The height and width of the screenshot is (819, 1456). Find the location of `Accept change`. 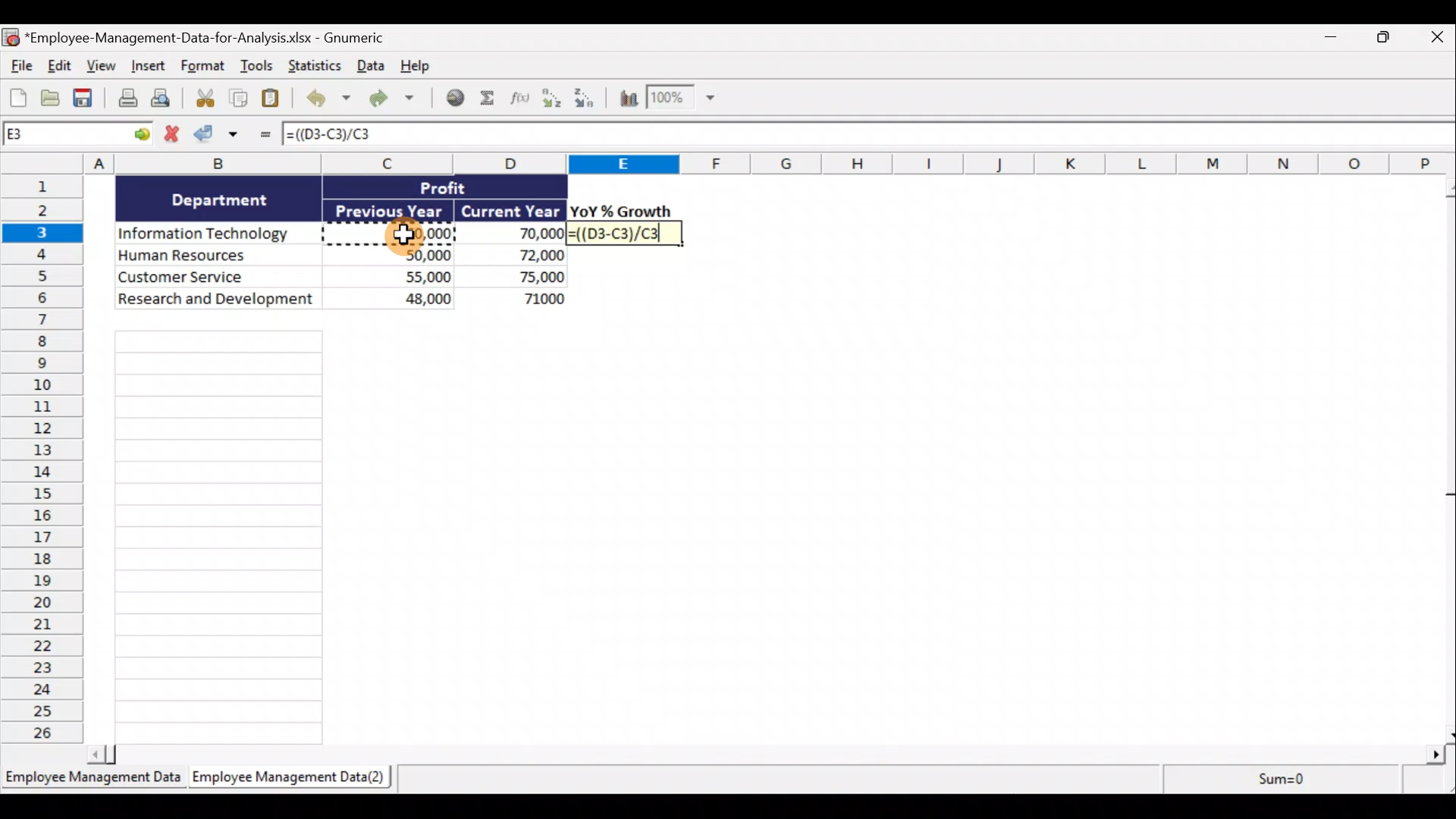

Accept change is located at coordinates (221, 137).